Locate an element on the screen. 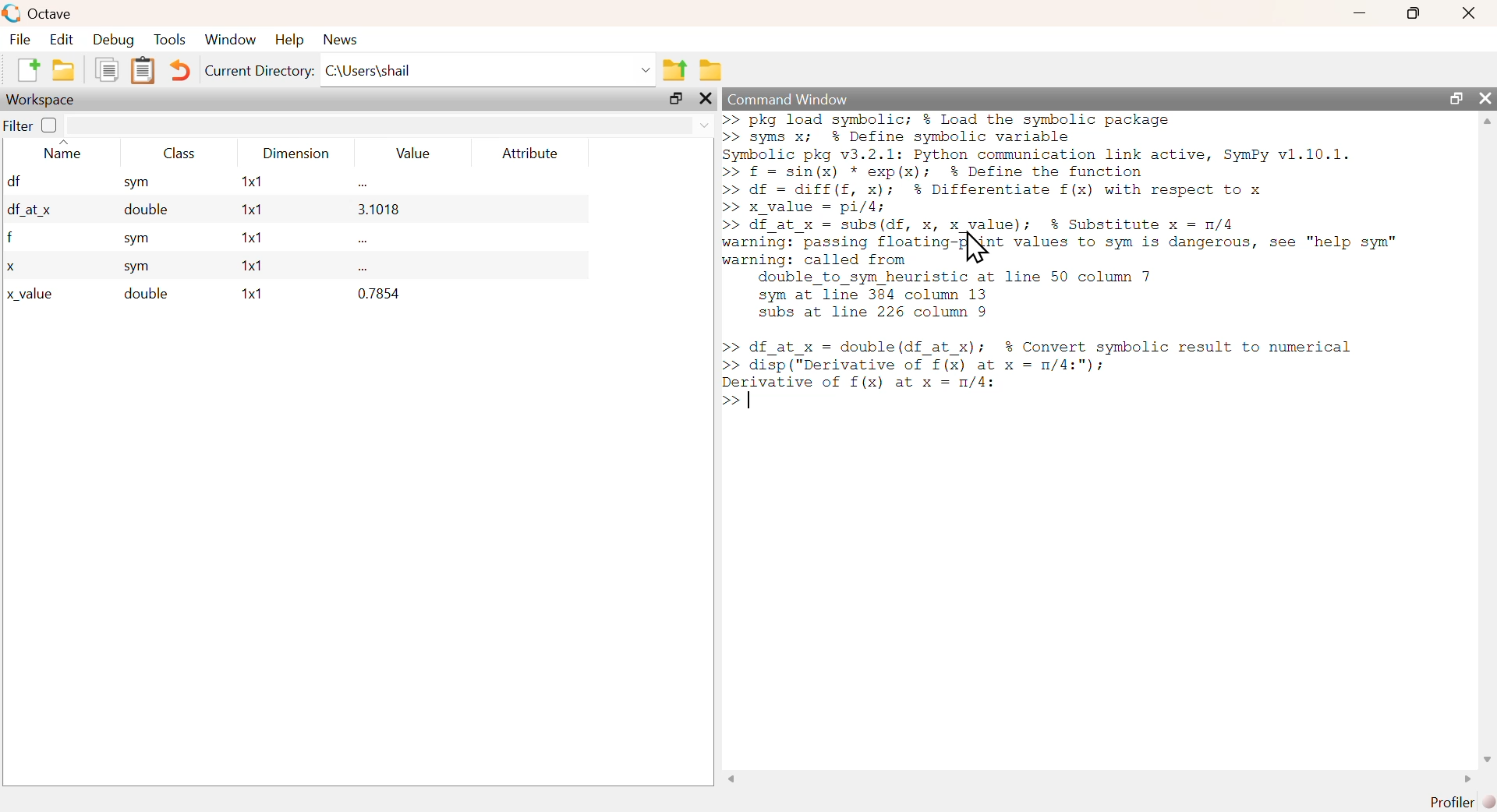 The image size is (1497, 812). sym is located at coordinates (138, 240).